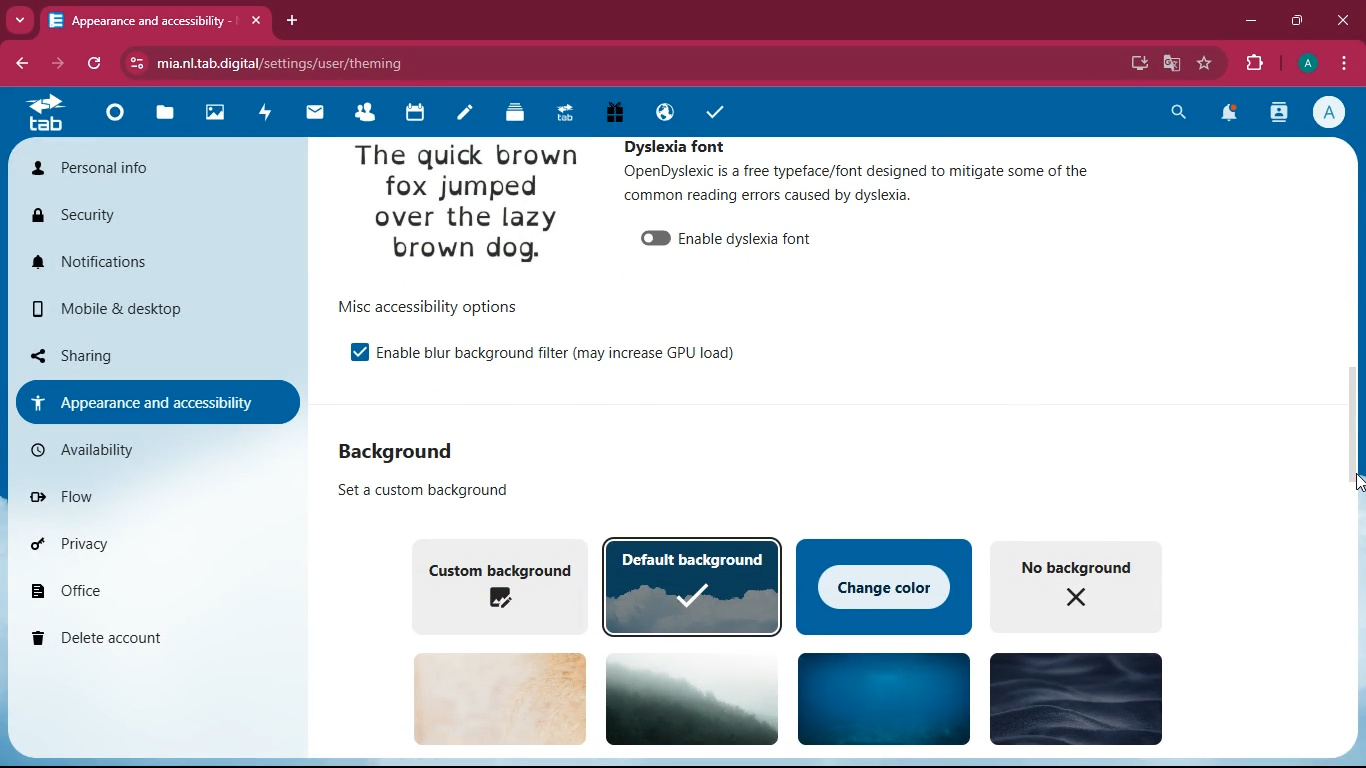 Image resolution: width=1366 pixels, height=768 pixels. Describe the element at coordinates (1171, 61) in the screenshot. I see `google translate` at that location.